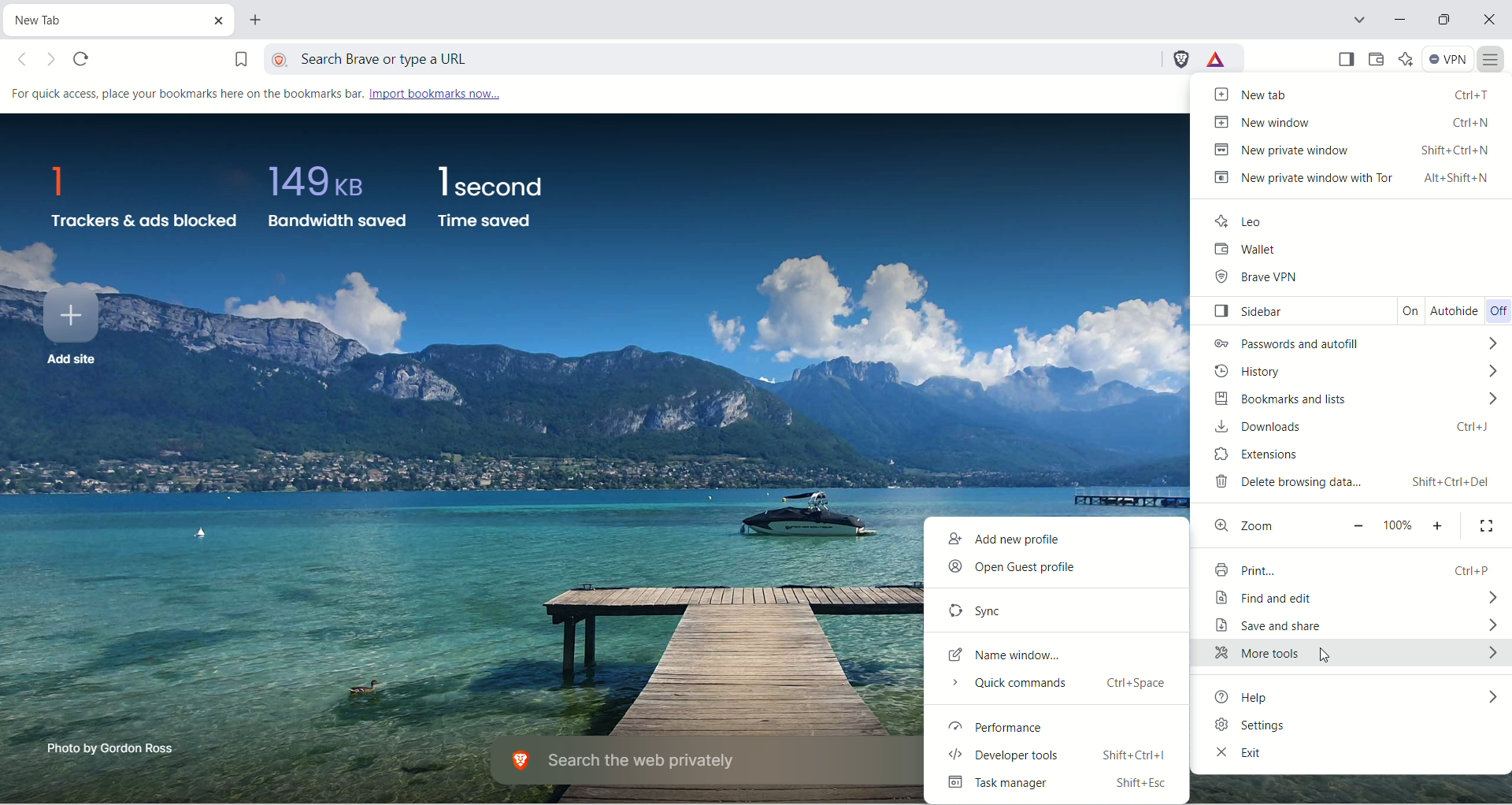  Describe the element at coordinates (1054, 607) in the screenshot. I see `sync` at that location.